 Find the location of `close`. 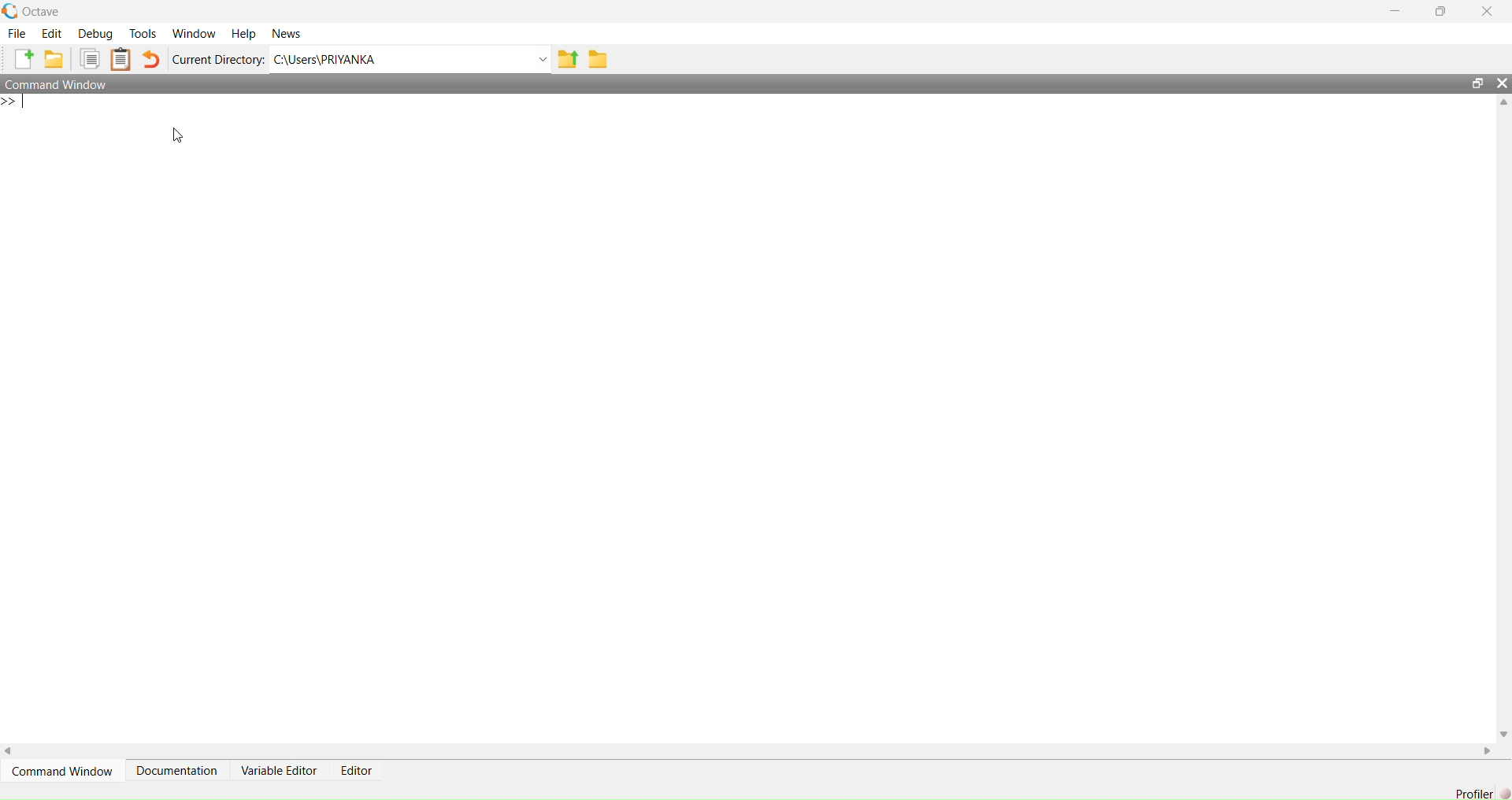

close is located at coordinates (1488, 10).